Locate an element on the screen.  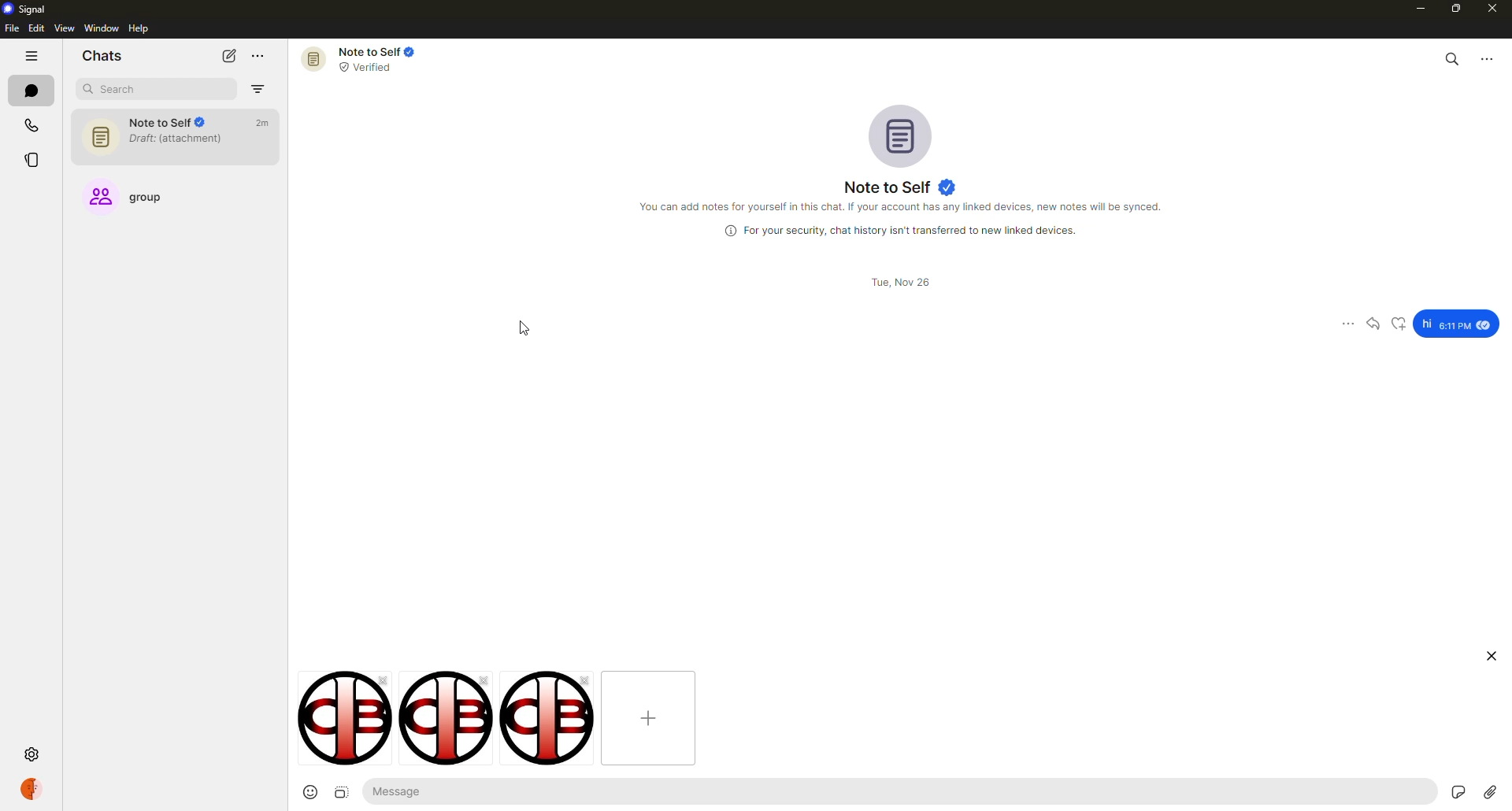
remove is located at coordinates (489, 680).